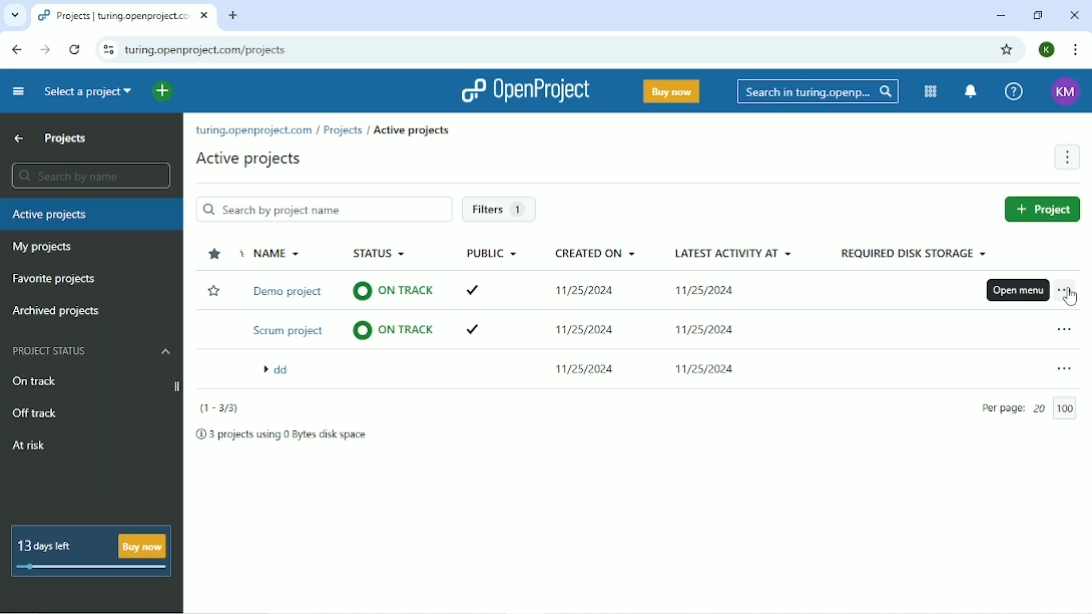  Describe the element at coordinates (1066, 330) in the screenshot. I see `Open menu` at that location.